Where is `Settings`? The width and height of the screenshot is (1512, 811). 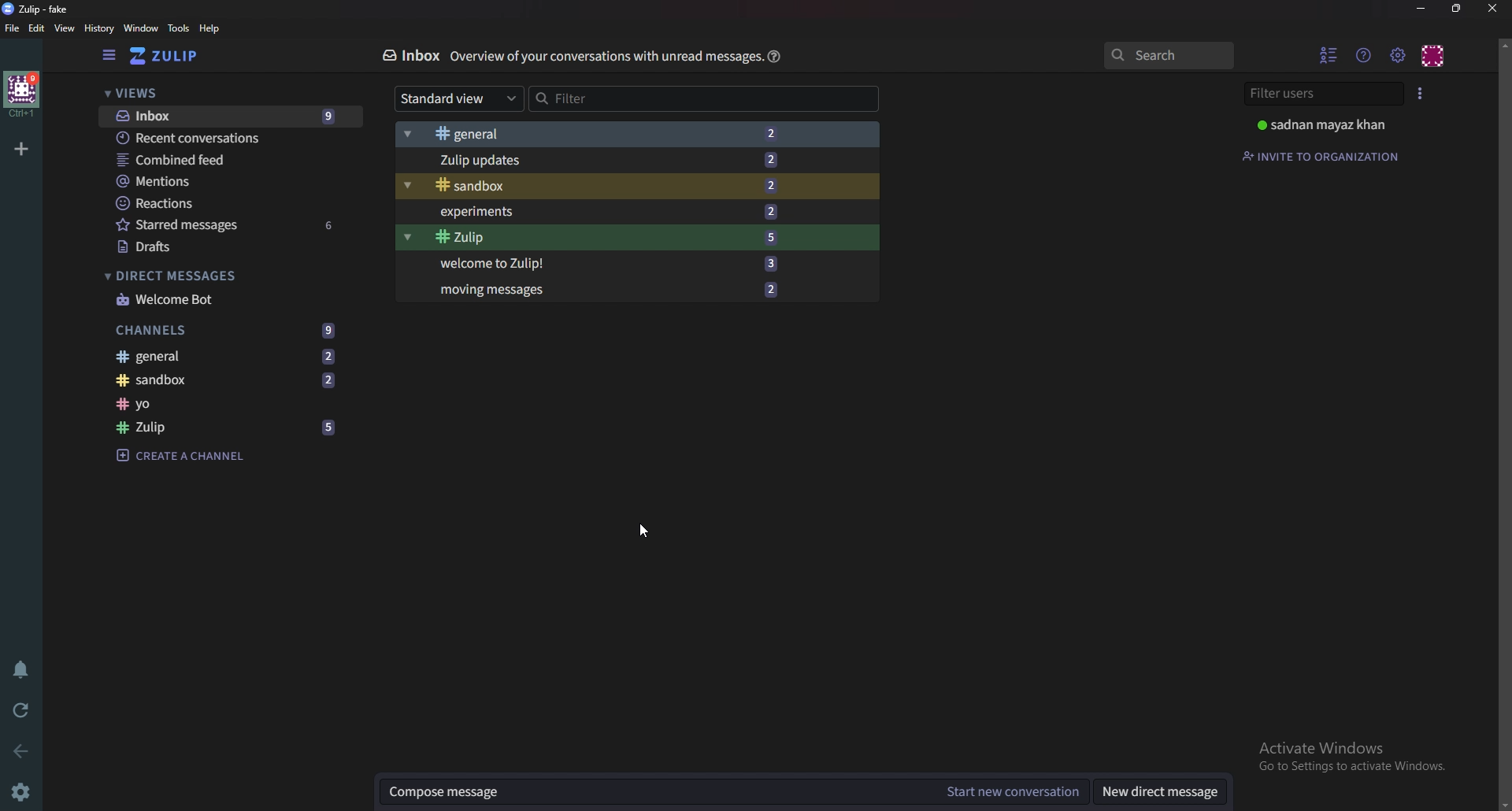 Settings is located at coordinates (20, 795).